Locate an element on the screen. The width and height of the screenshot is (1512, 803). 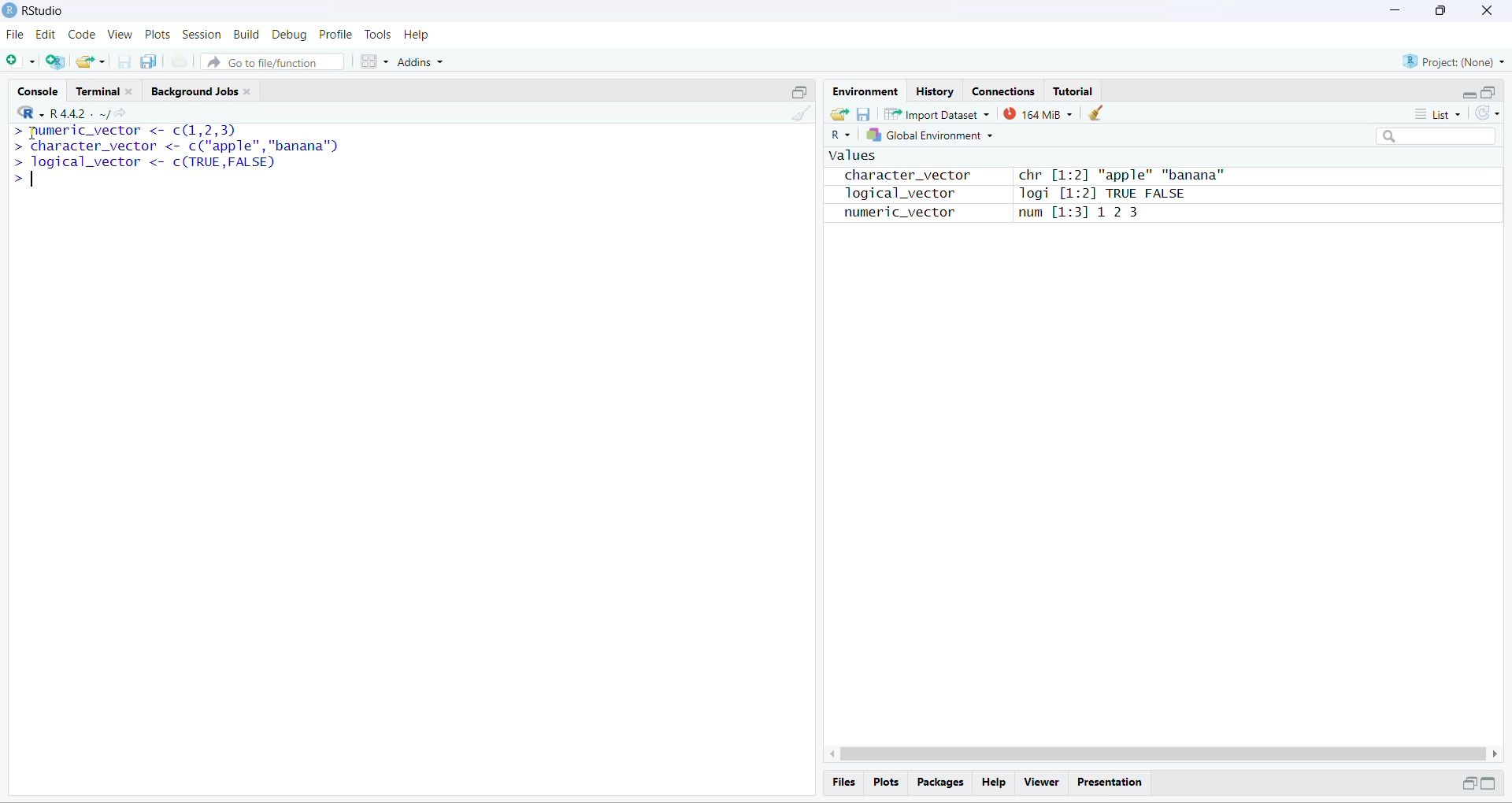
minimize is located at coordinates (1466, 783).